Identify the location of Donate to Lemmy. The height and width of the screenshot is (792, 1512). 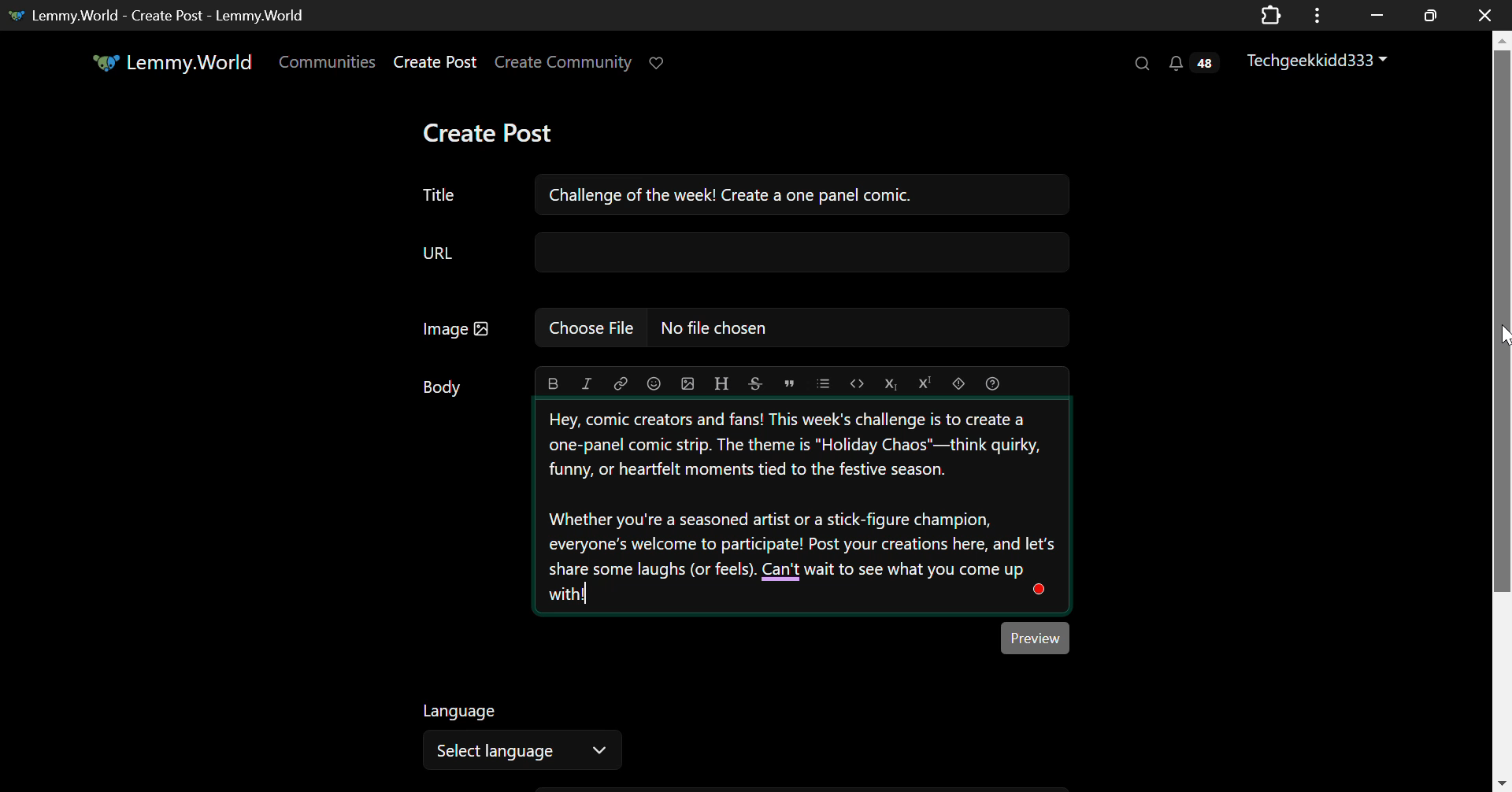
(658, 63).